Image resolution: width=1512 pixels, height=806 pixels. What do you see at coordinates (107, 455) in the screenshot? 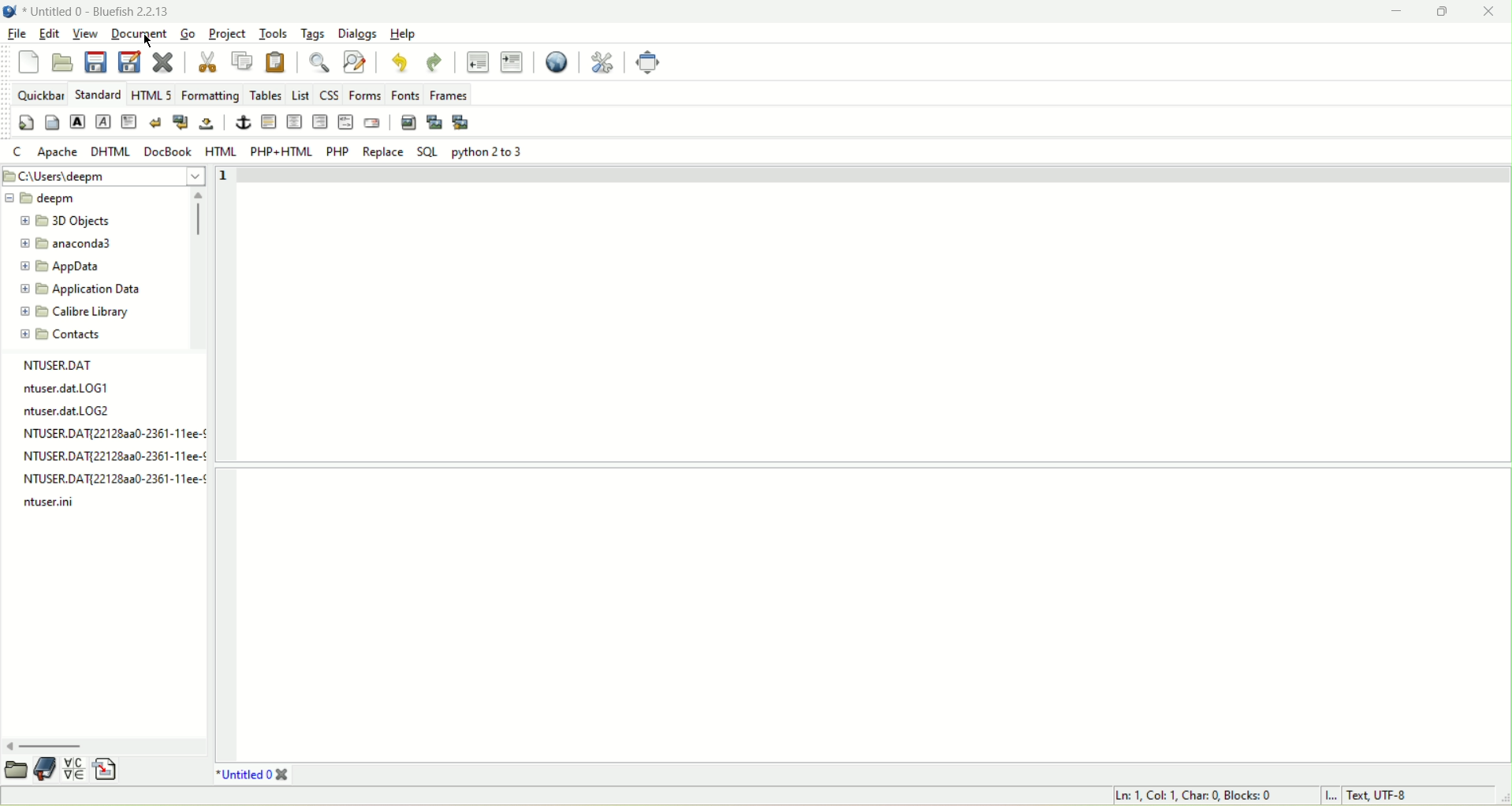
I see `NTUSER.DAT{221283a0-2361-11ee-` at bounding box center [107, 455].